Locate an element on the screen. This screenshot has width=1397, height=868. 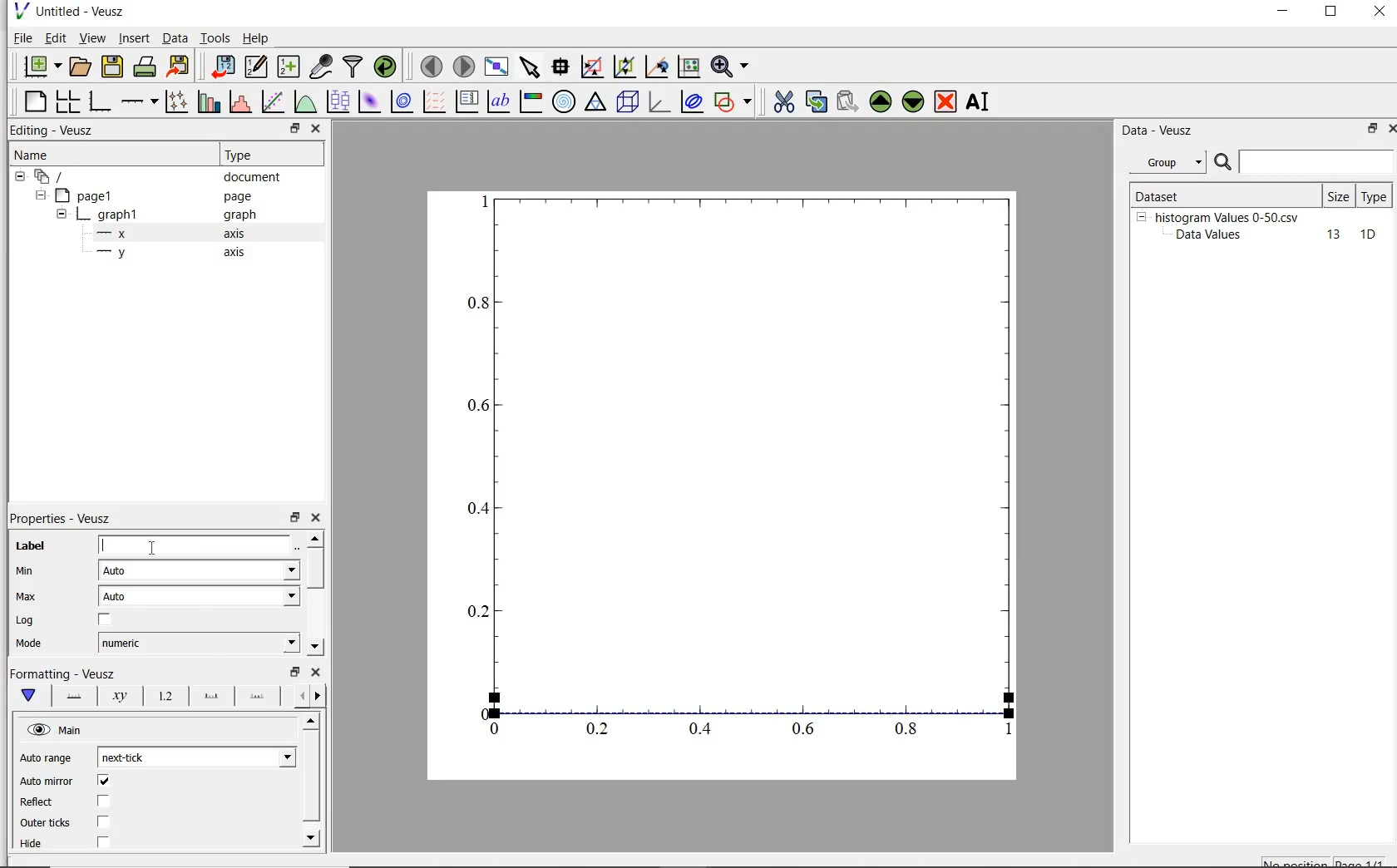
plot covariance ellipse is located at coordinates (692, 104).